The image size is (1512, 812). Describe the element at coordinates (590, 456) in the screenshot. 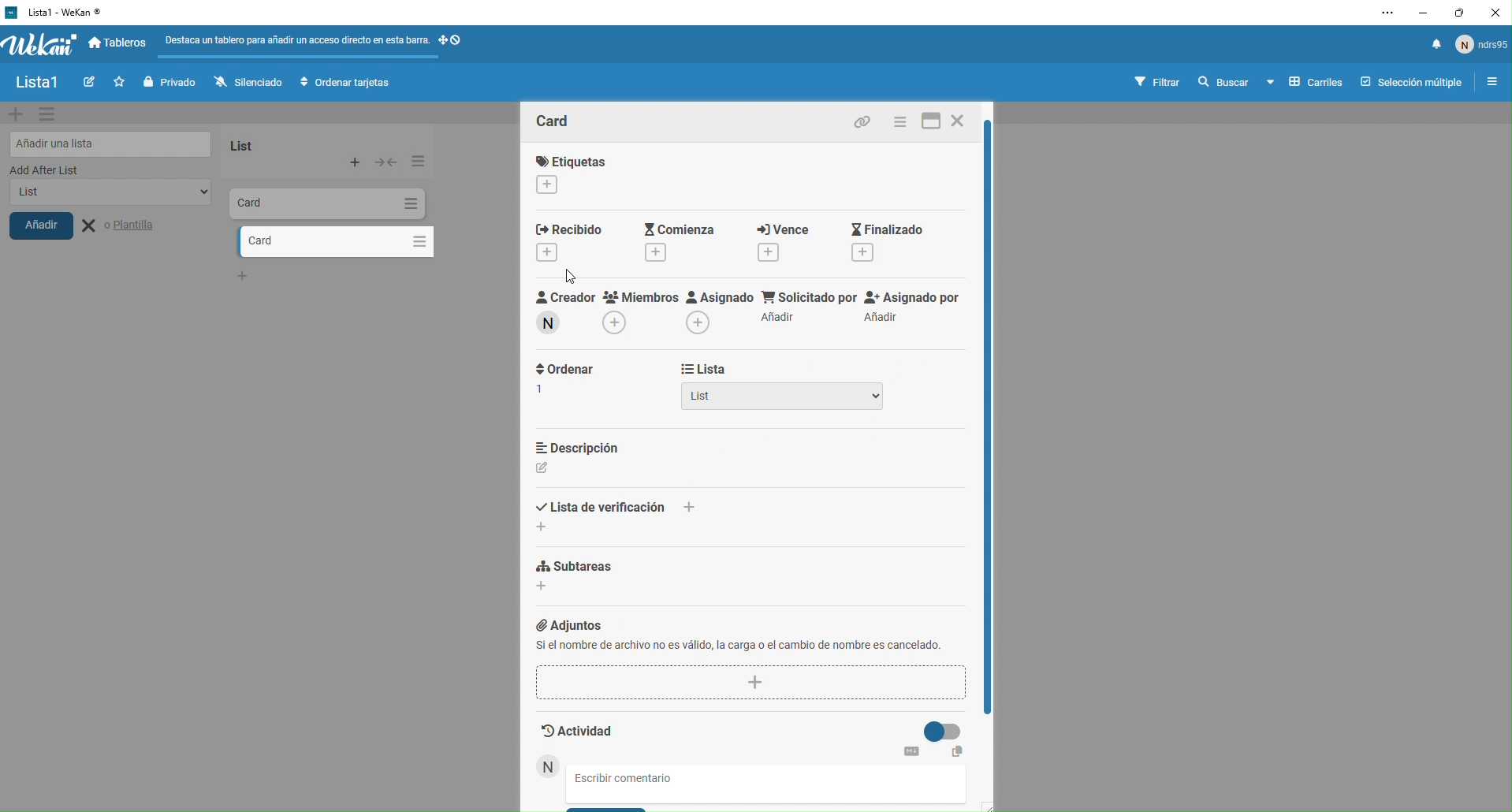

I see `descripcion` at that location.